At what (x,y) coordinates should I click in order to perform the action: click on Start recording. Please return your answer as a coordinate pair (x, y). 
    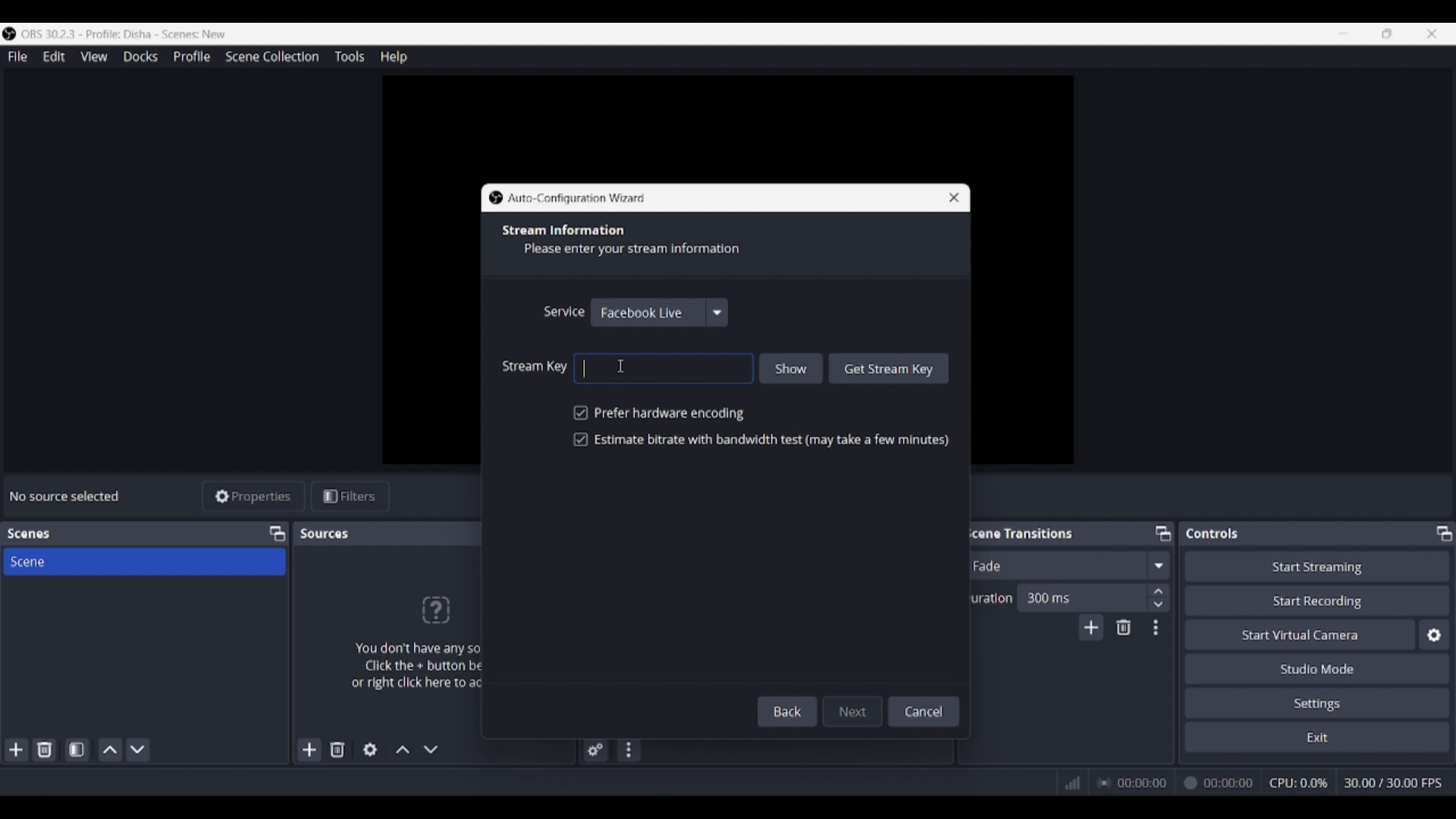
    Looking at the image, I should click on (1318, 600).